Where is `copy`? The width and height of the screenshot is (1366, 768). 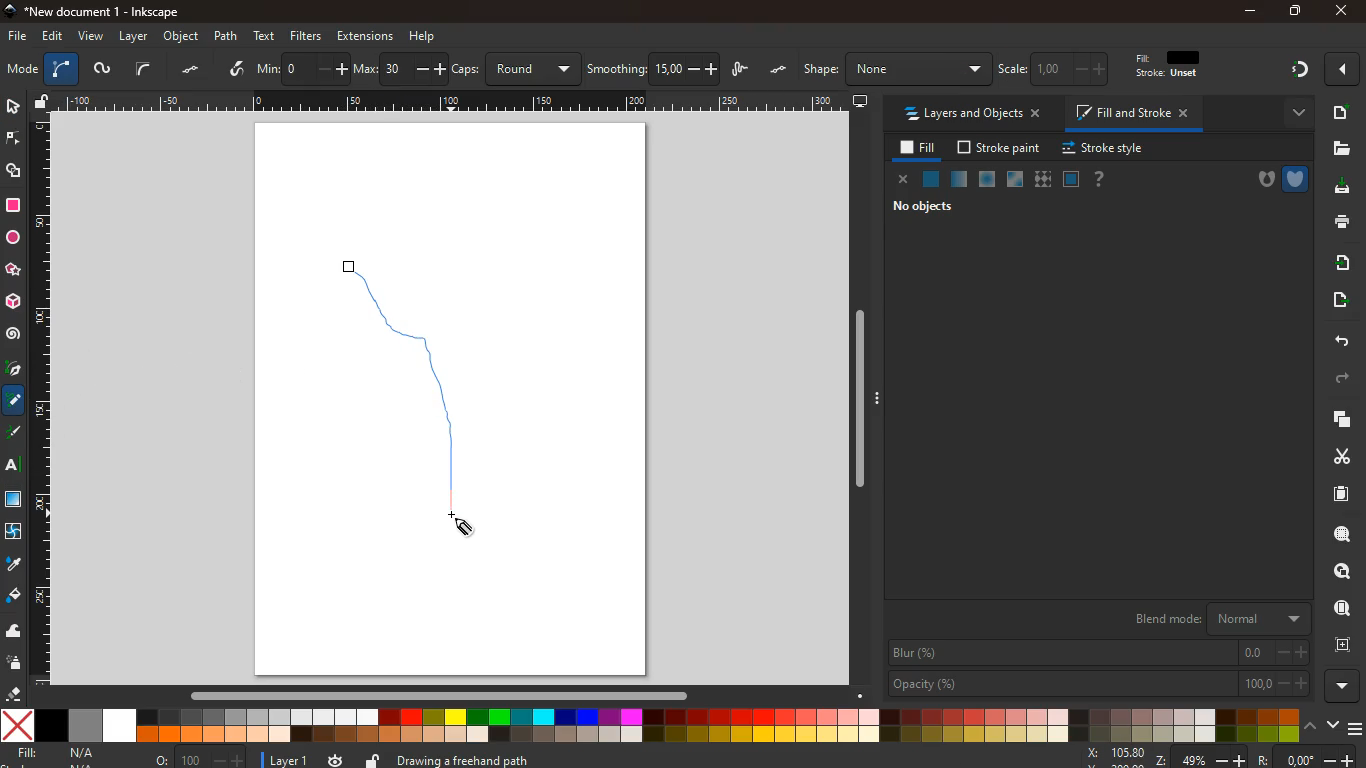 copy is located at coordinates (1338, 420).